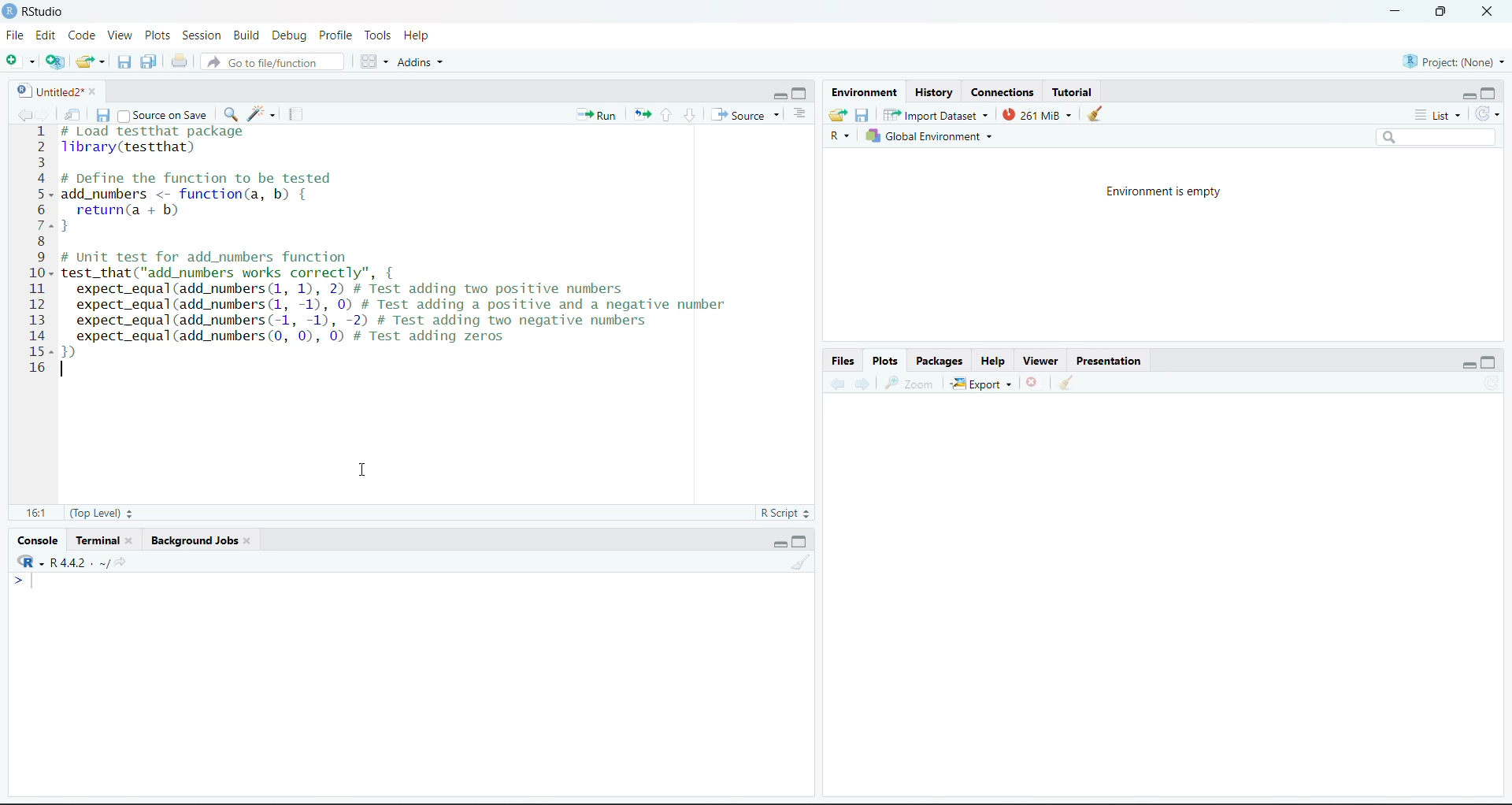 The image size is (1512, 805). What do you see at coordinates (800, 93) in the screenshot?
I see `maximize` at bounding box center [800, 93].